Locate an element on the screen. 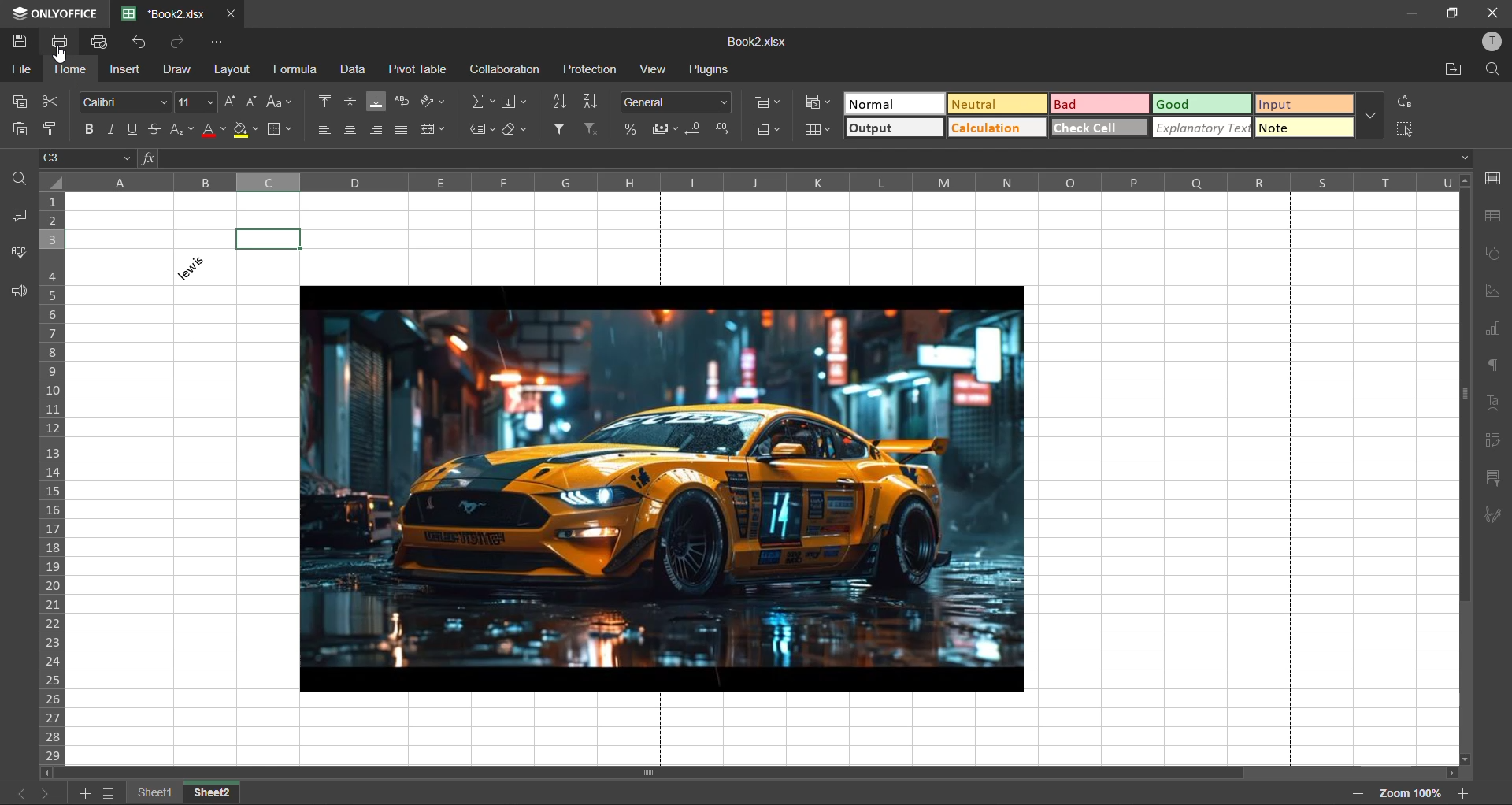  formula is located at coordinates (294, 70).